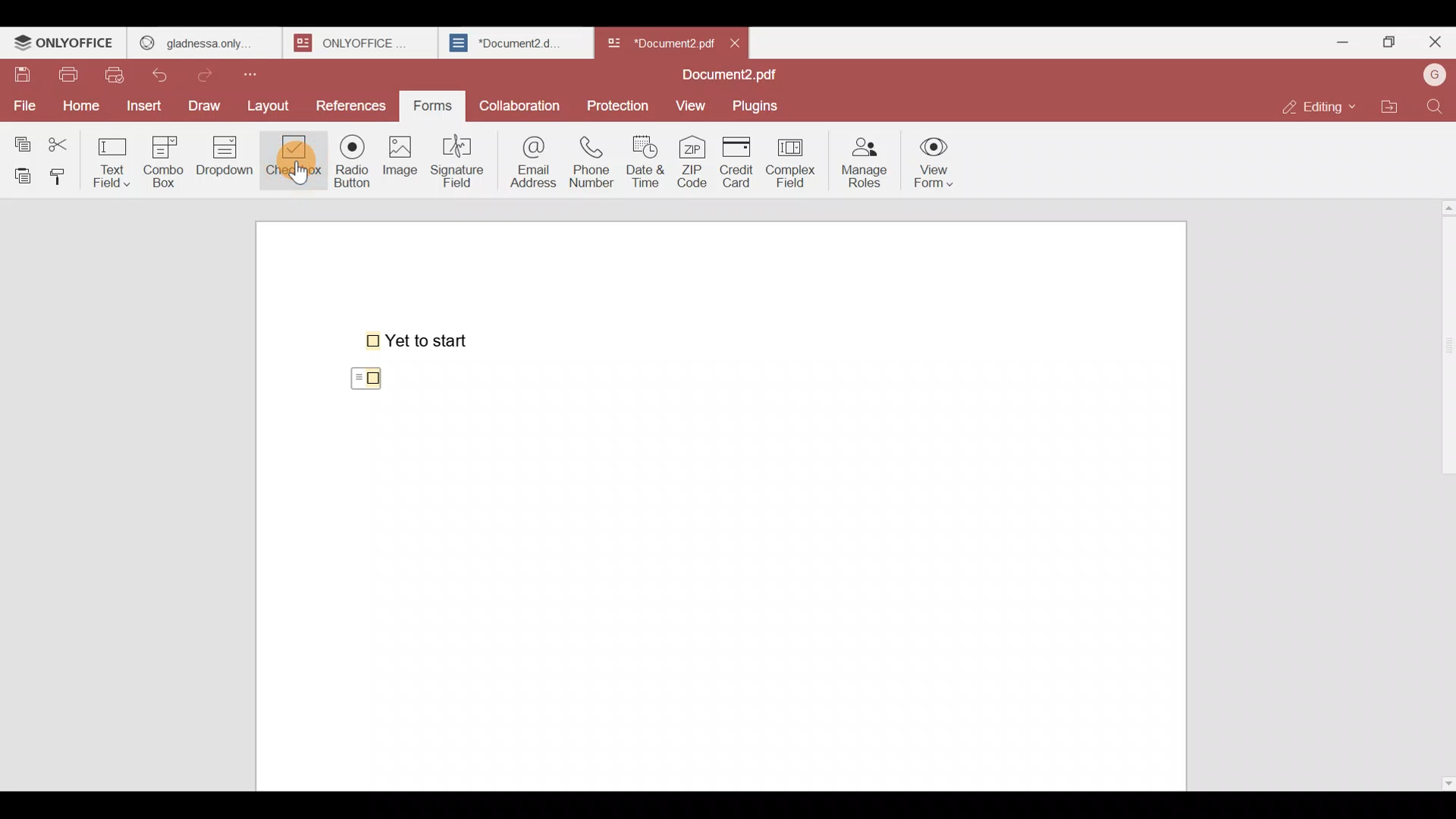 The width and height of the screenshot is (1456, 819). I want to click on Redo, so click(212, 71).